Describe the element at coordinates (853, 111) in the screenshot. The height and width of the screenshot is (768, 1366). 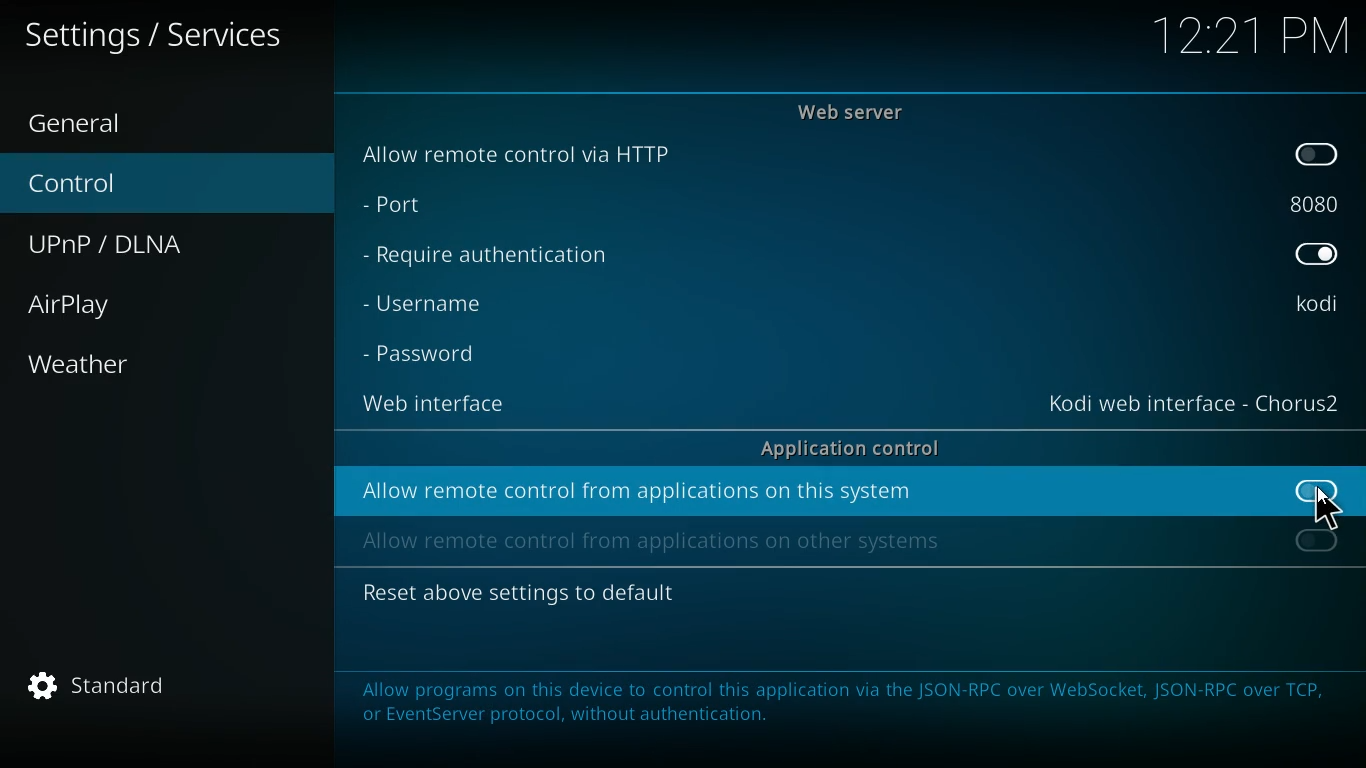
I see `web server` at that location.